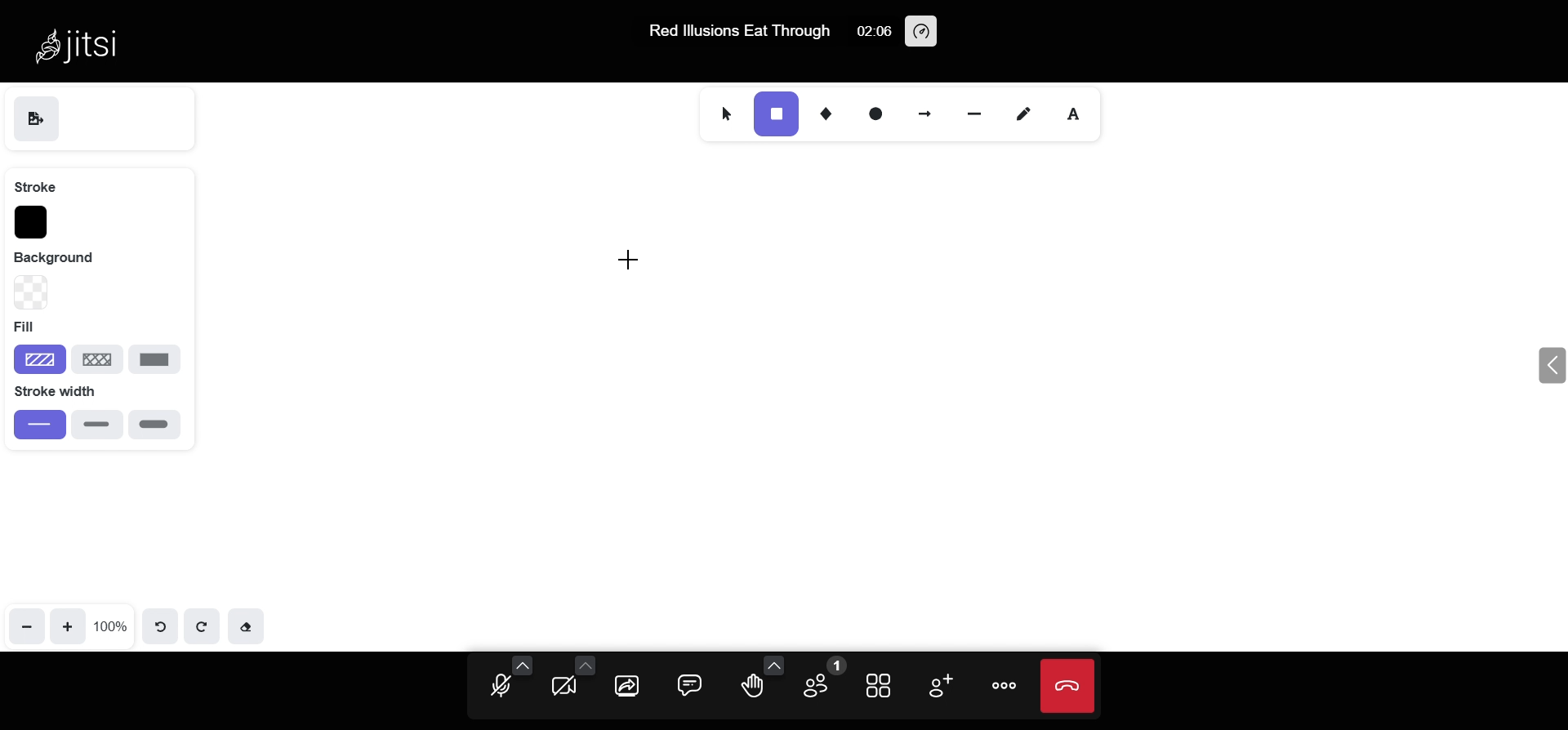  What do you see at coordinates (1006, 686) in the screenshot?
I see `more` at bounding box center [1006, 686].